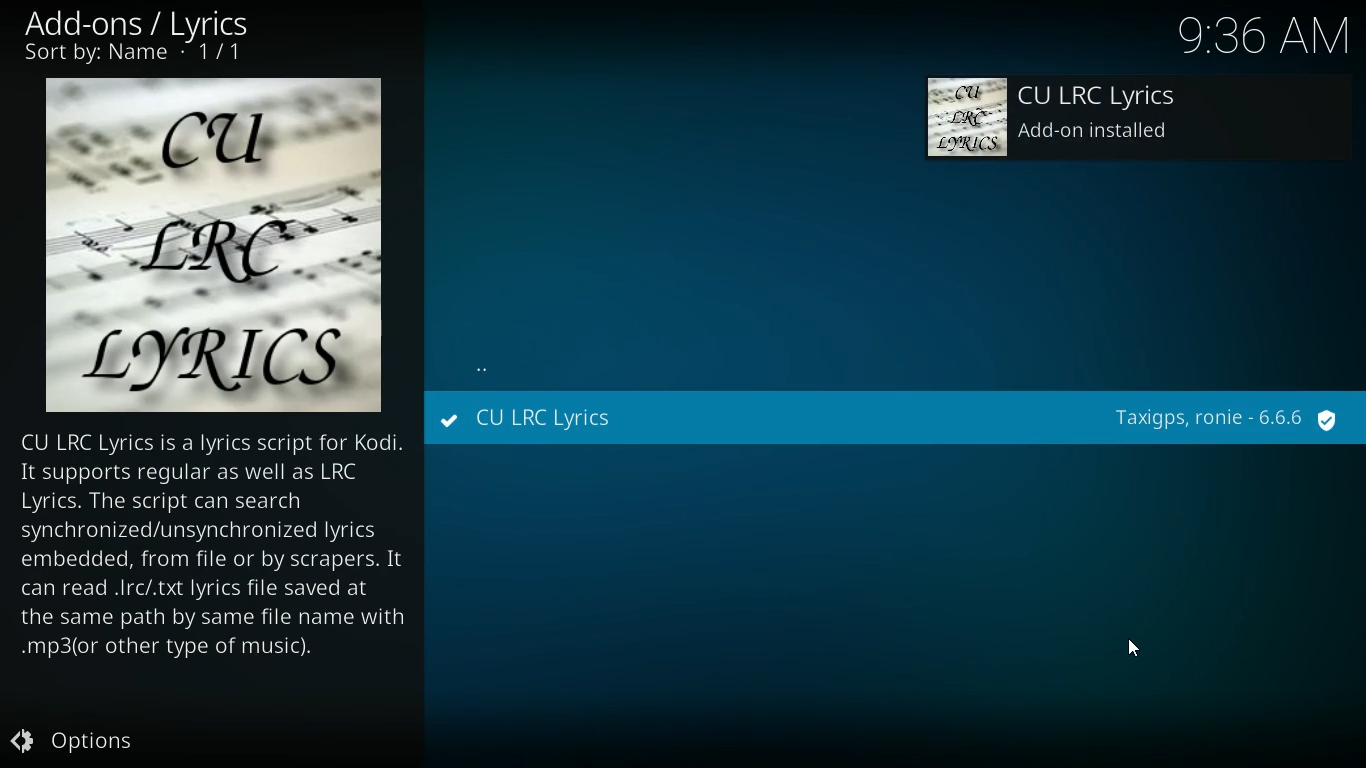 The height and width of the screenshot is (768, 1366). What do you see at coordinates (214, 547) in the screenshot?
I see `lyrics description` at bounding box center [214, 547].